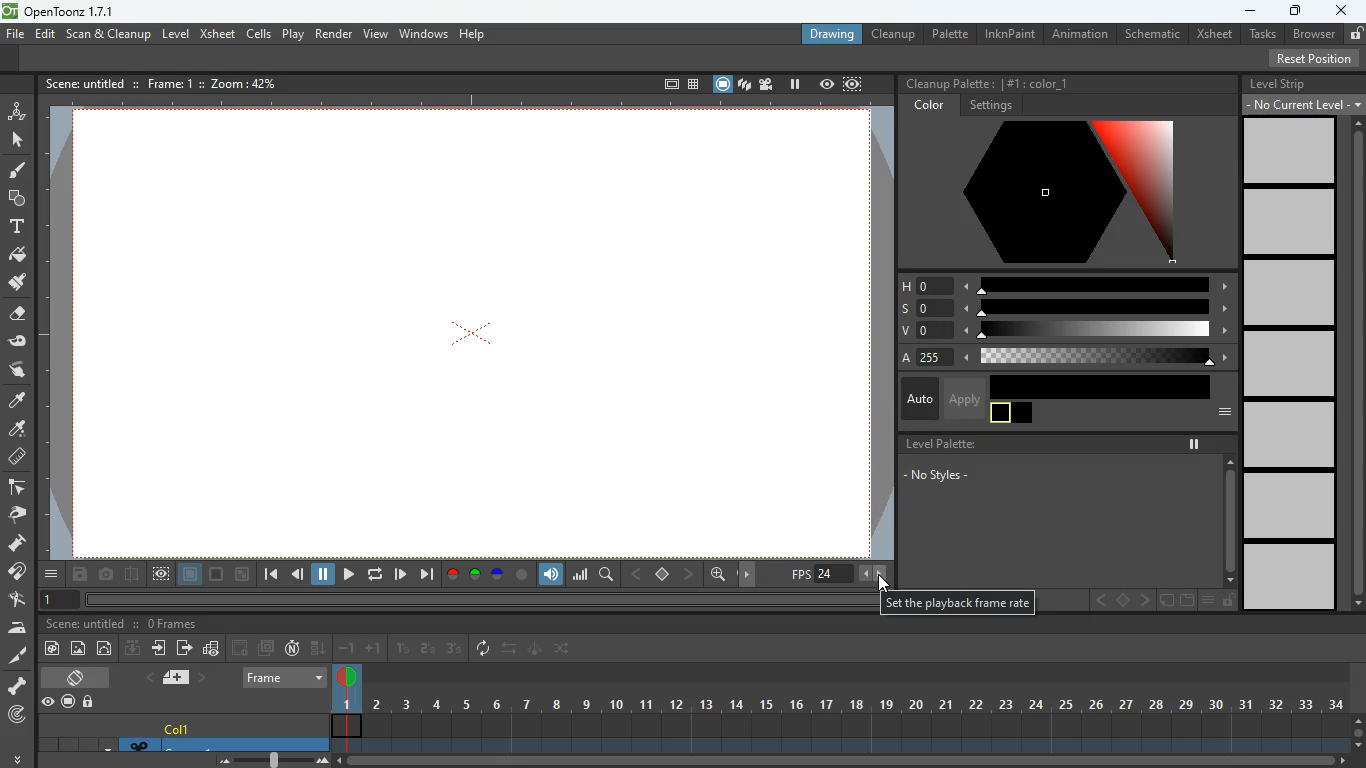 This screenshot has width=1366, height=768. I want to click on browser, so click(1314, 35).